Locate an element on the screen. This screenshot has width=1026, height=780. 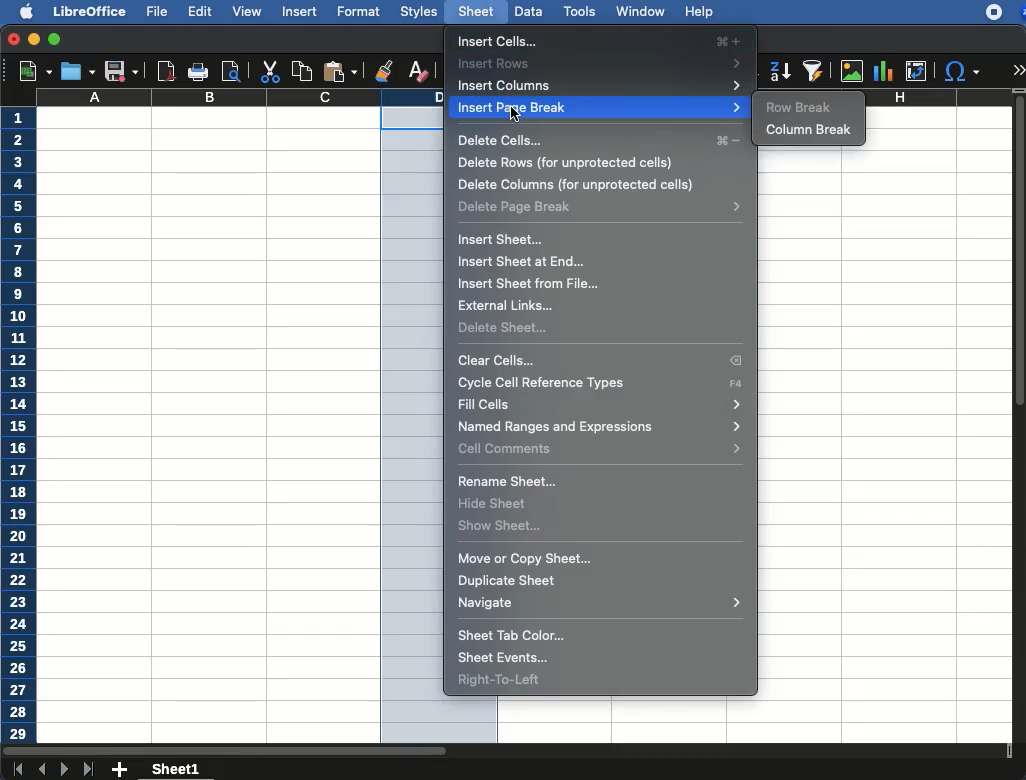
zoom extension is located at coordinates (1020, 12).